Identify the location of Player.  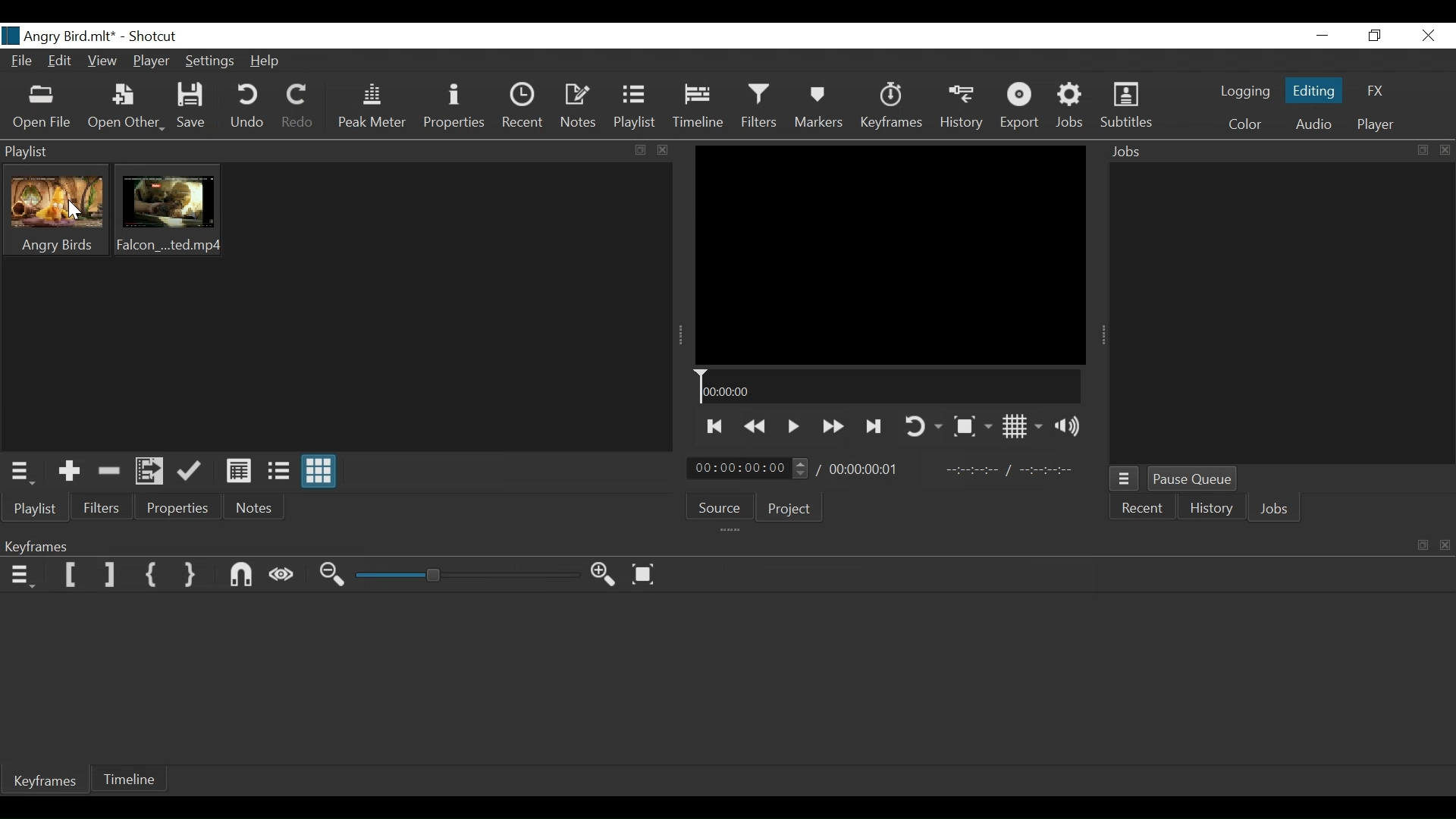
(151, 61).